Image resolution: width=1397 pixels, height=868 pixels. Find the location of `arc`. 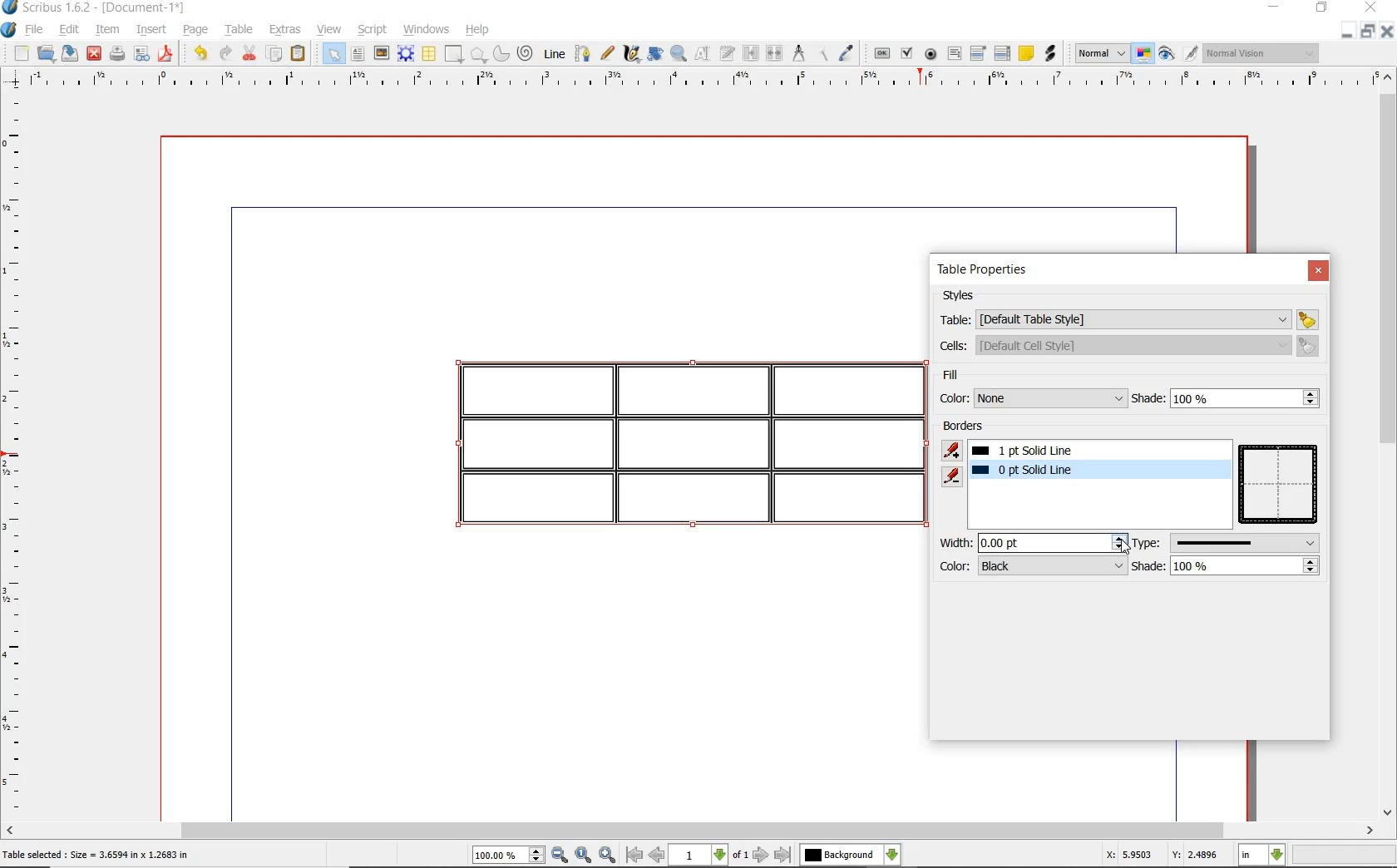

arc is located at coordinates (502, 54).